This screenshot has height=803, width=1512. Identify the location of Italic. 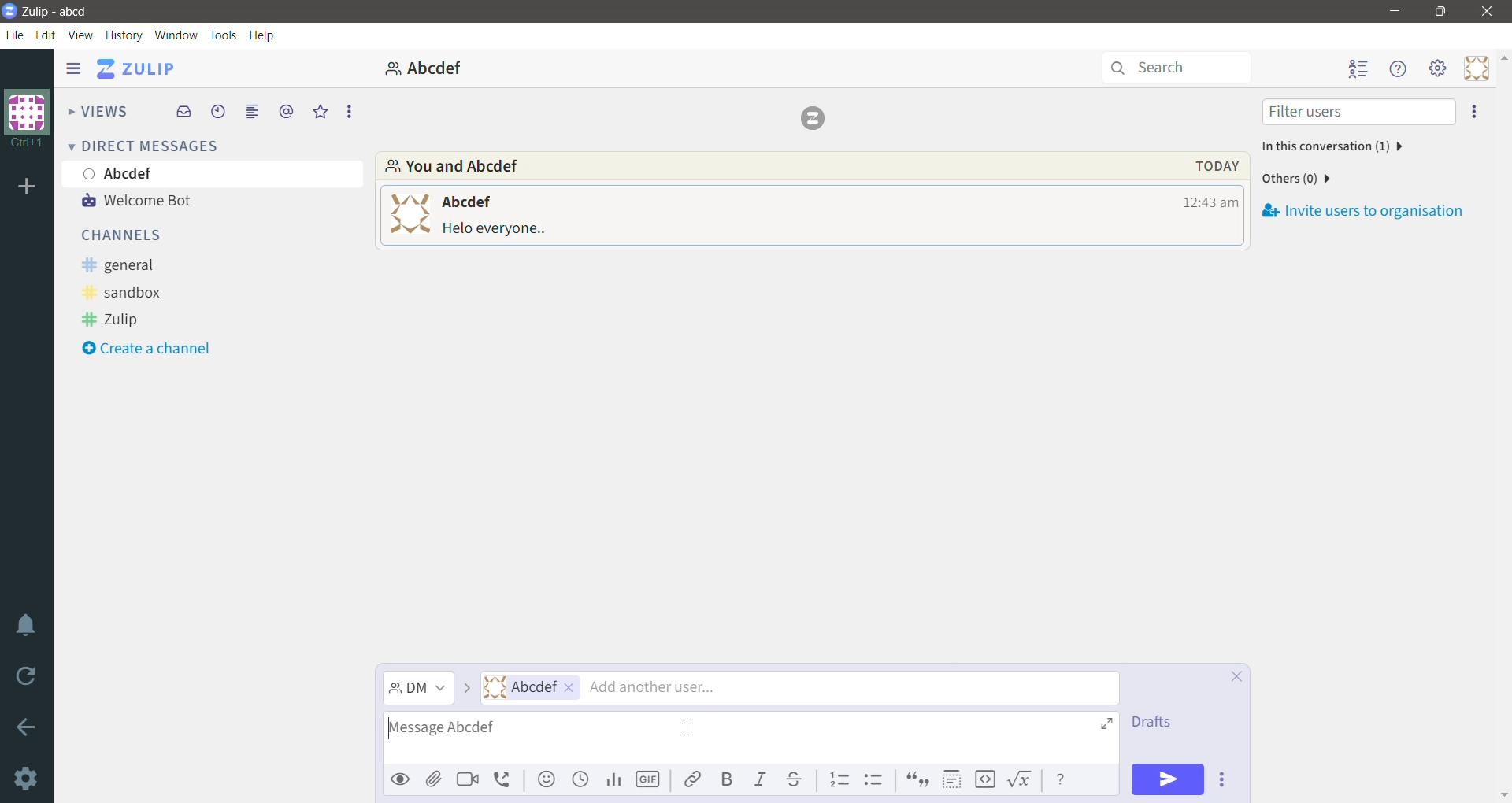
(759, 779).